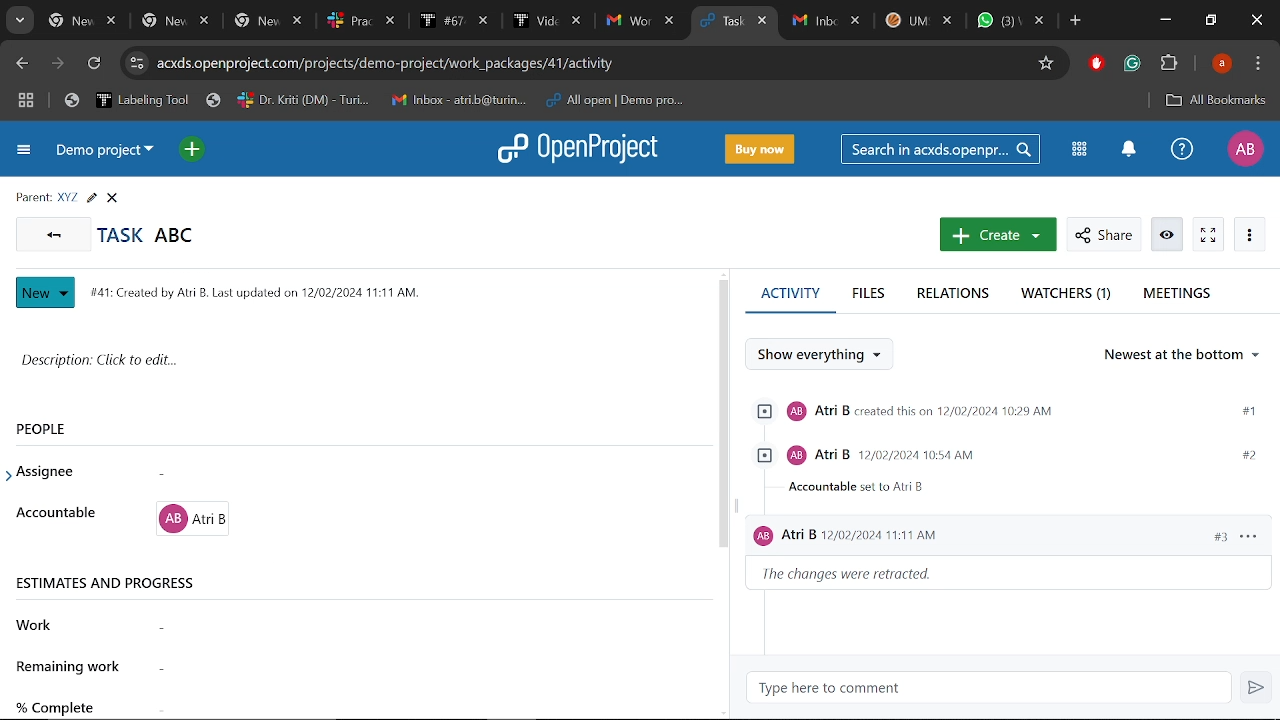 This screenshot has width=1280, height=720. Describe the element at coordinates (1210, 20) in the screenshot. I see `Restotre down` at that location.